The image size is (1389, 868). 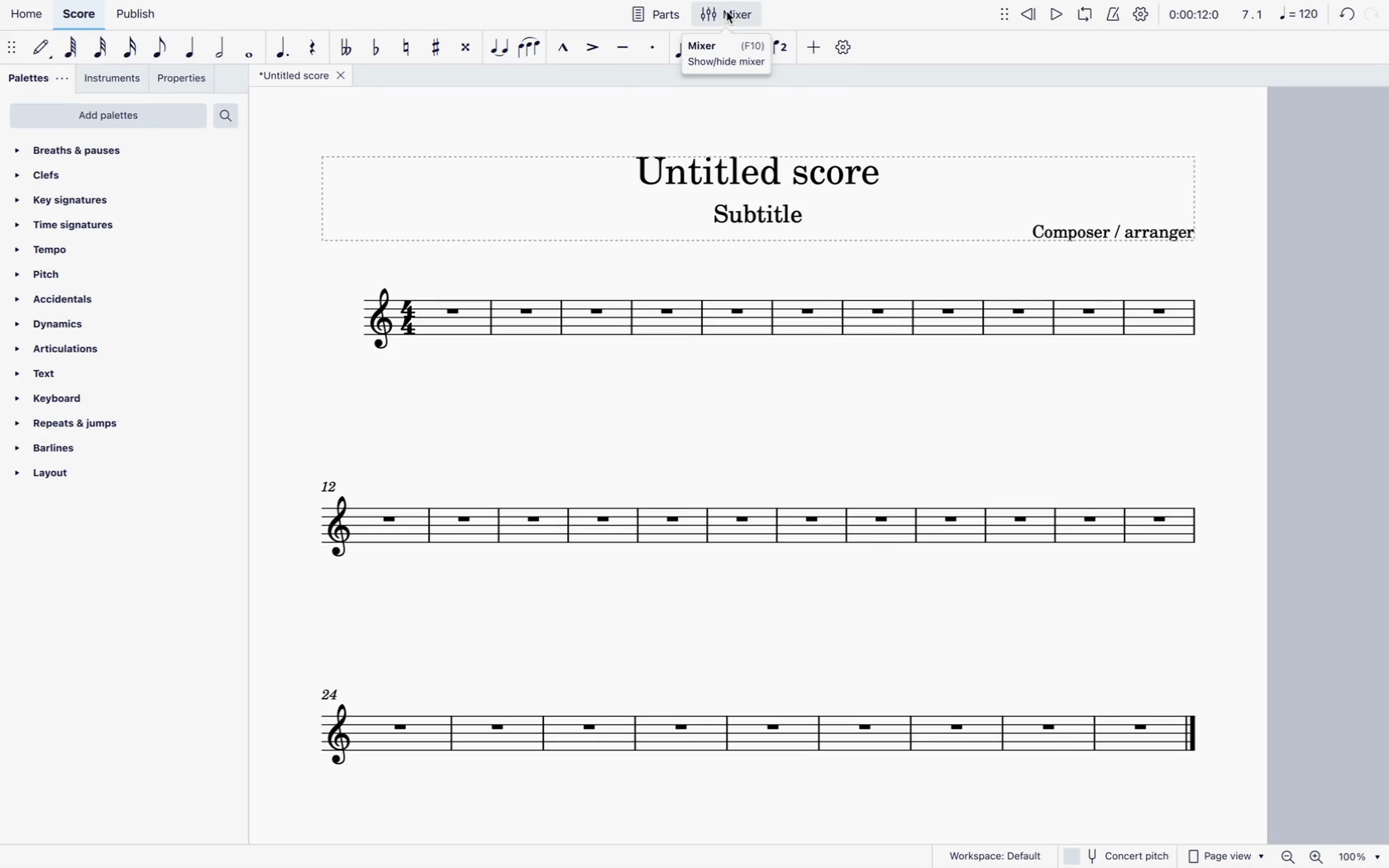 I want to click on zoom out, so click(x=1287, y=856).